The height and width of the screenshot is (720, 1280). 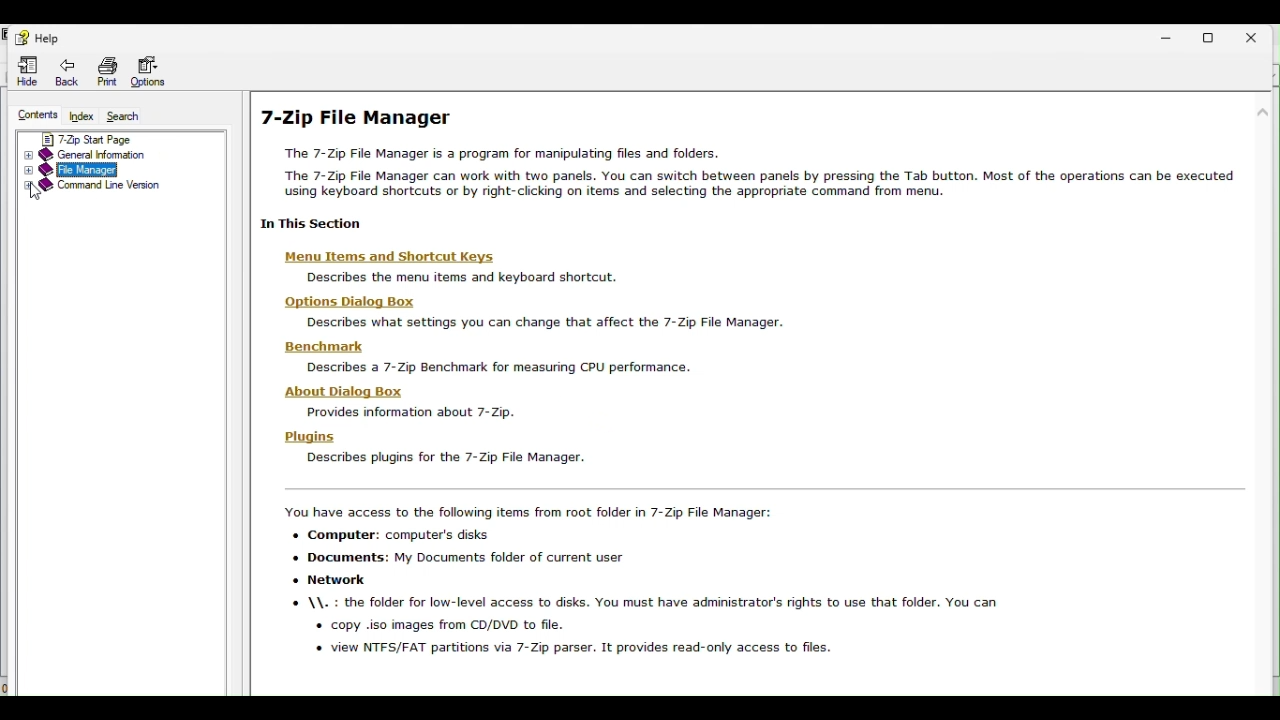 I want to click on Hons Dis, so click(x=355, y=301).